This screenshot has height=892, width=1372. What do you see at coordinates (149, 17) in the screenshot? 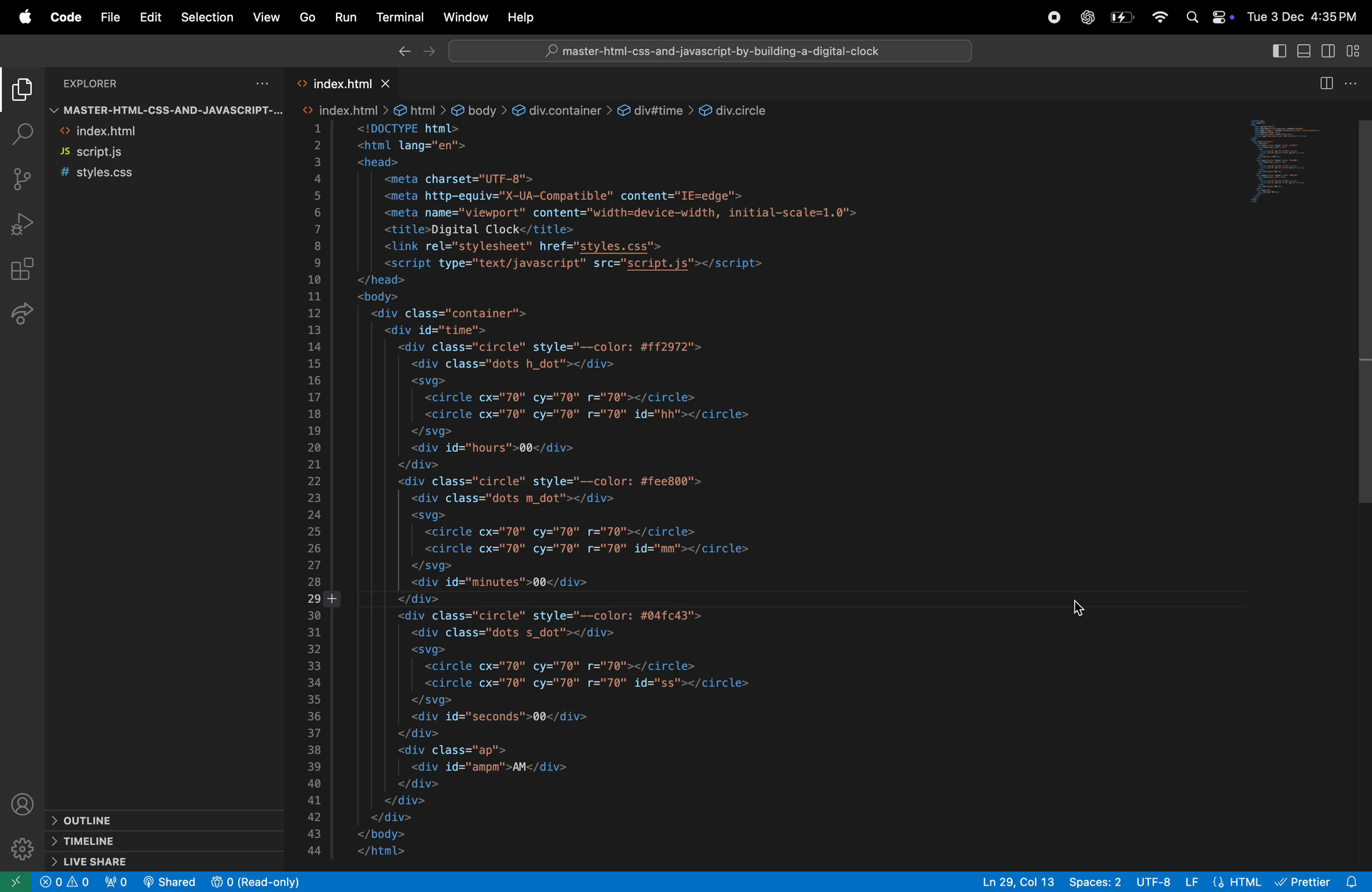
I see `edit` at bounding box center [149, 17].